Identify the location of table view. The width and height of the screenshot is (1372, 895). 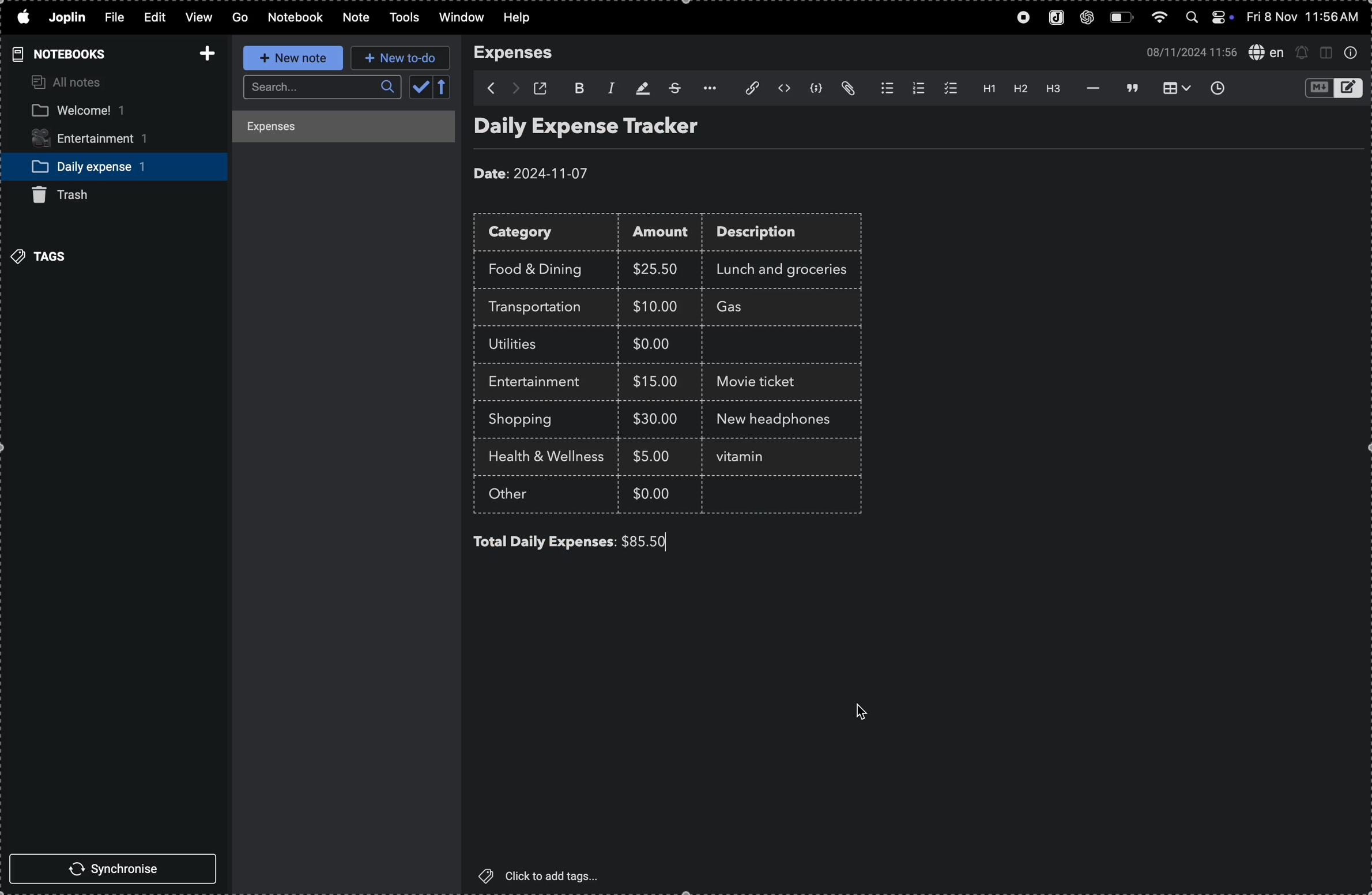
(1171, 88).